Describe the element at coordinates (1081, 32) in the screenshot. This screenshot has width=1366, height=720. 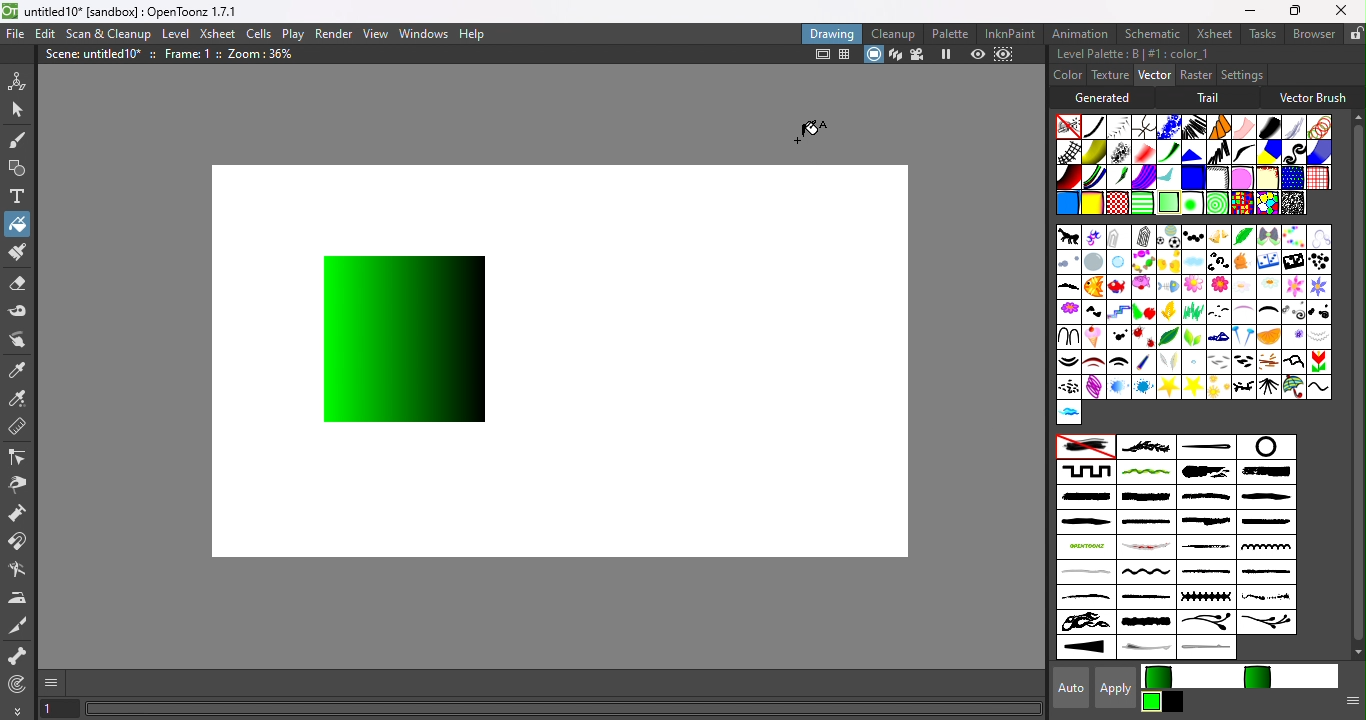
I see `Animation` at that location.